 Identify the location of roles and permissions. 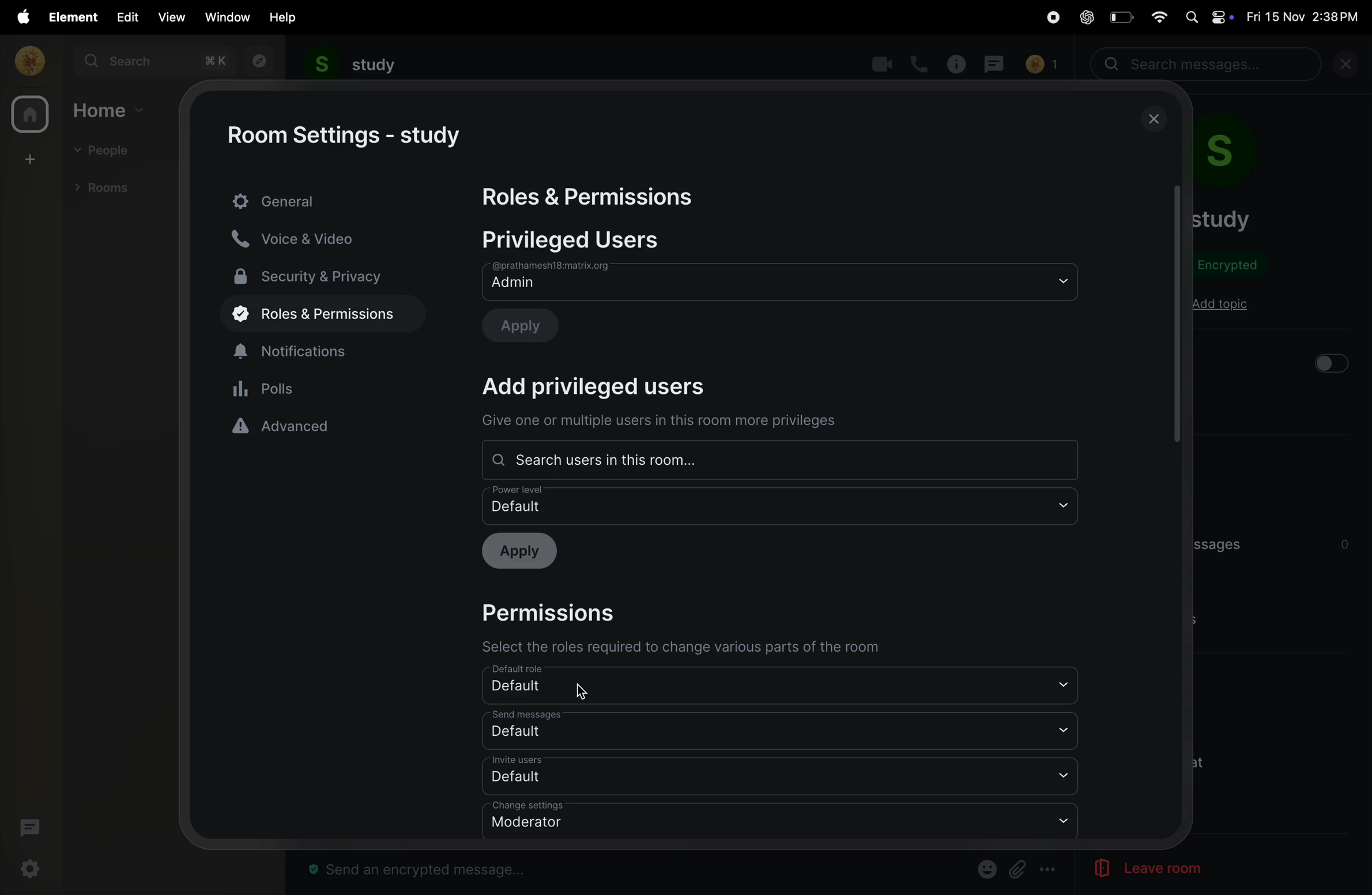
(315, 315).